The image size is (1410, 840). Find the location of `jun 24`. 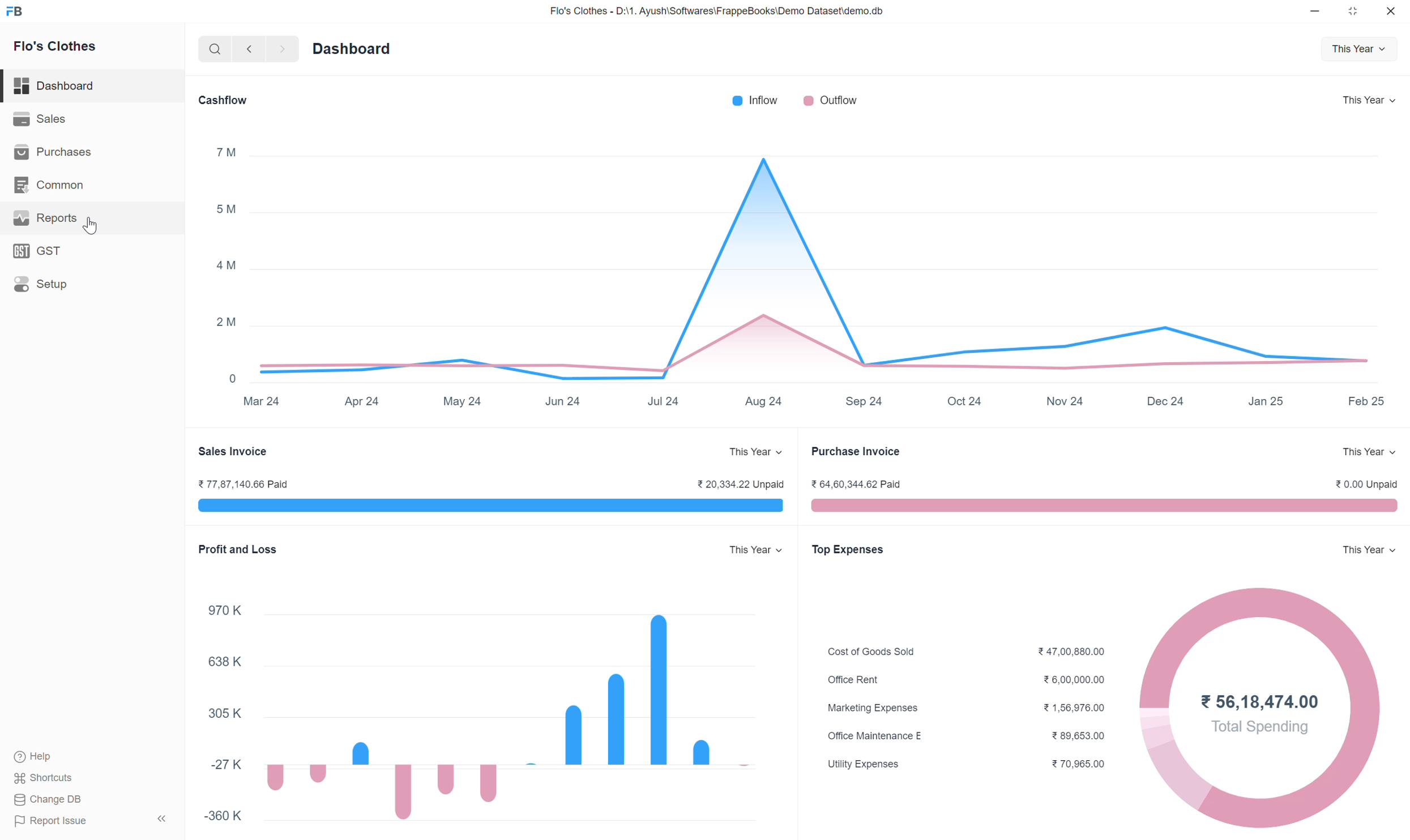

jun 24 is located at coordinates (562, 402).